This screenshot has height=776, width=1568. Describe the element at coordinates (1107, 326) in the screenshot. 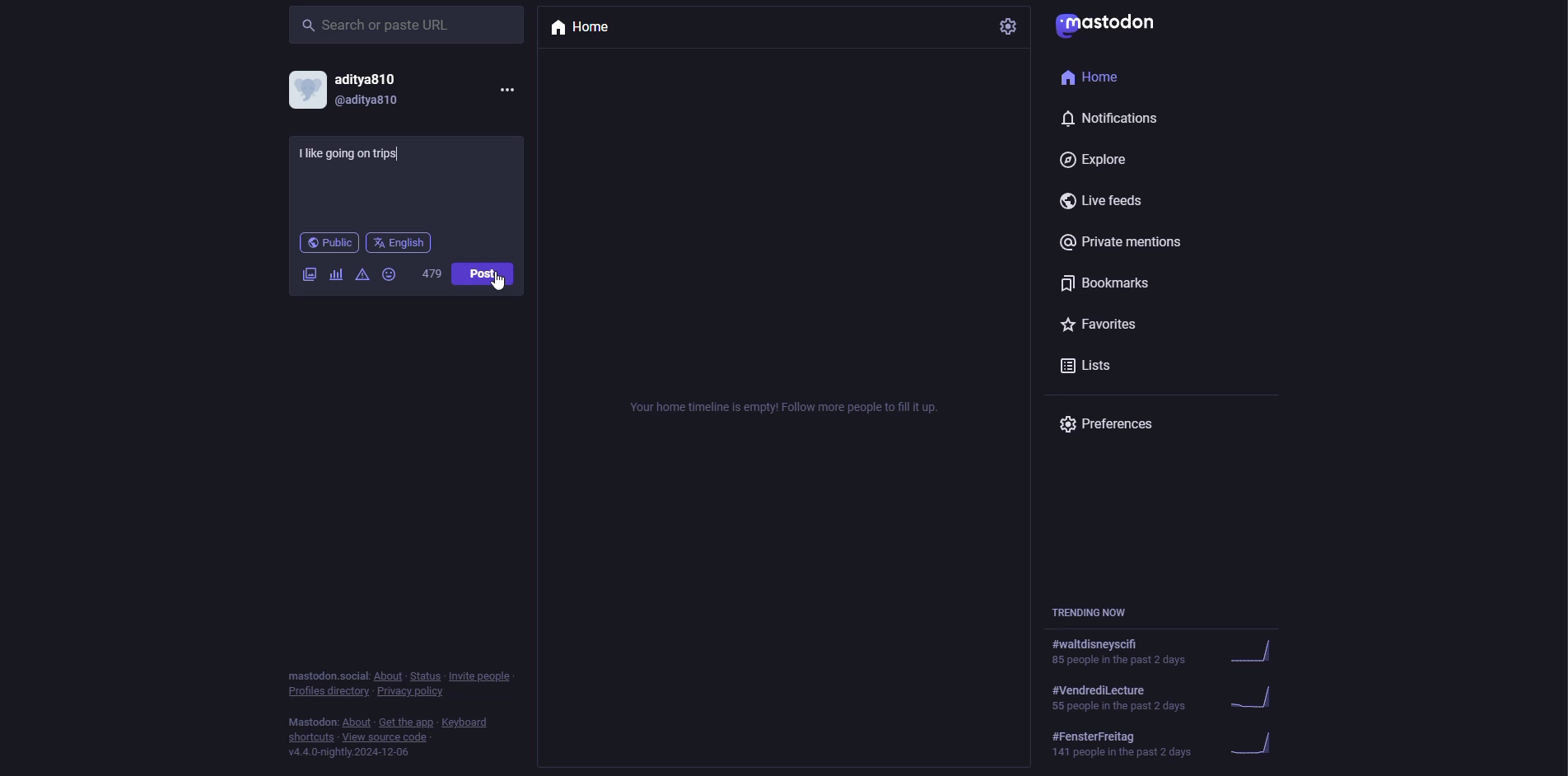

I see `favorites` at that location.